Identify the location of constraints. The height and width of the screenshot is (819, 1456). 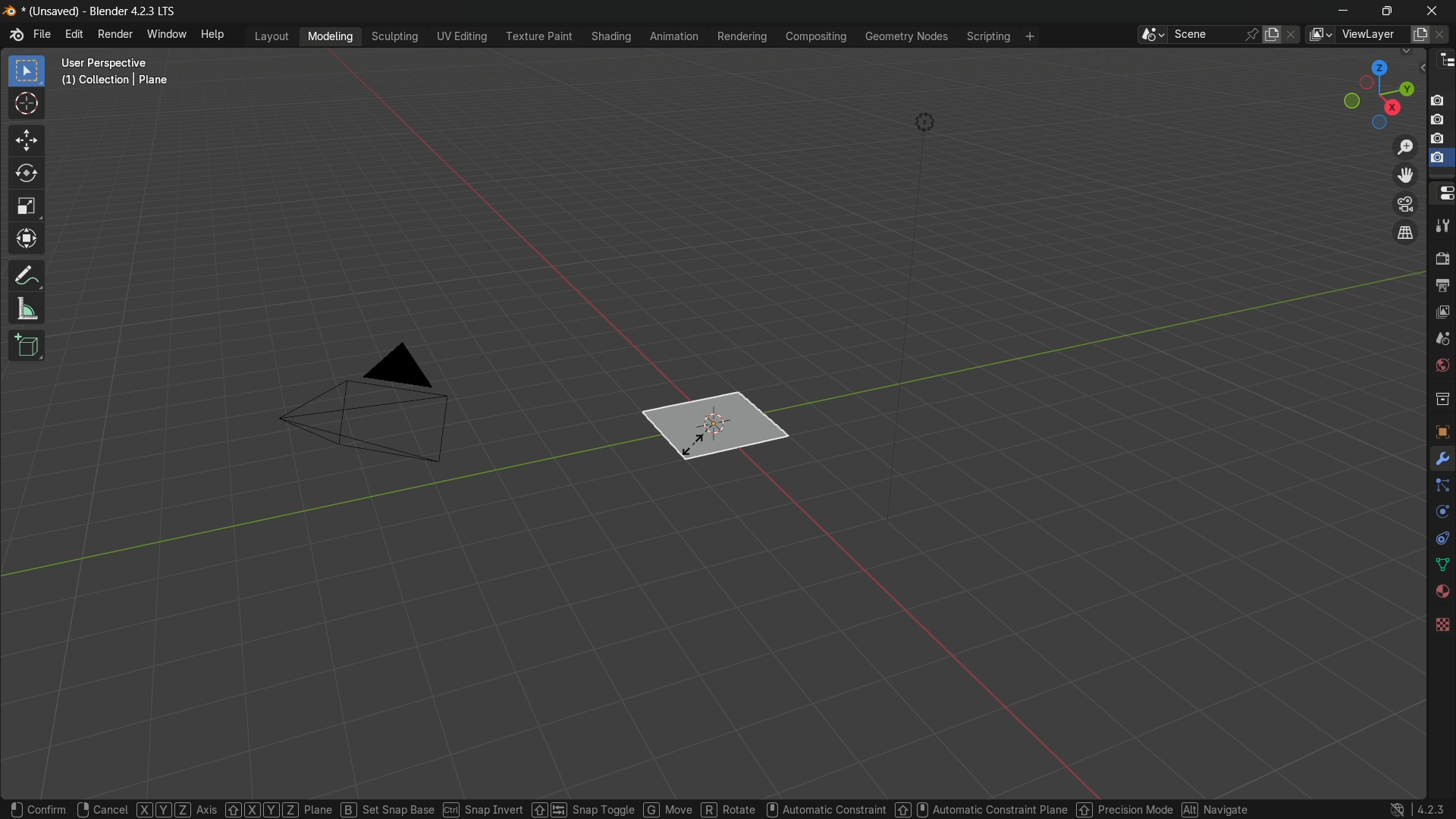
(1442, 538).